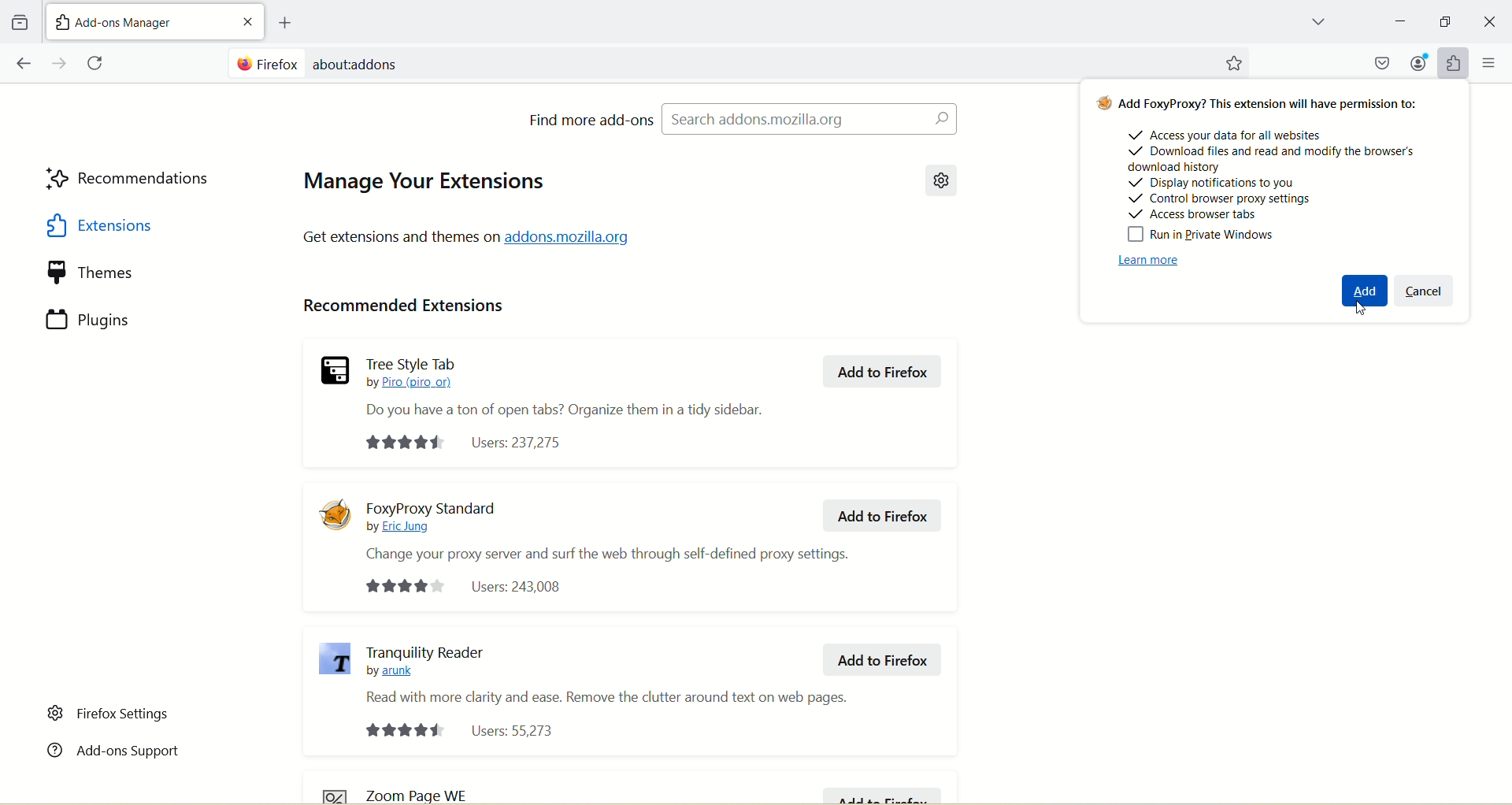  Describe the element at coordinates (884, 660) in the screenshot. I see `Add to Firefox` at that location.